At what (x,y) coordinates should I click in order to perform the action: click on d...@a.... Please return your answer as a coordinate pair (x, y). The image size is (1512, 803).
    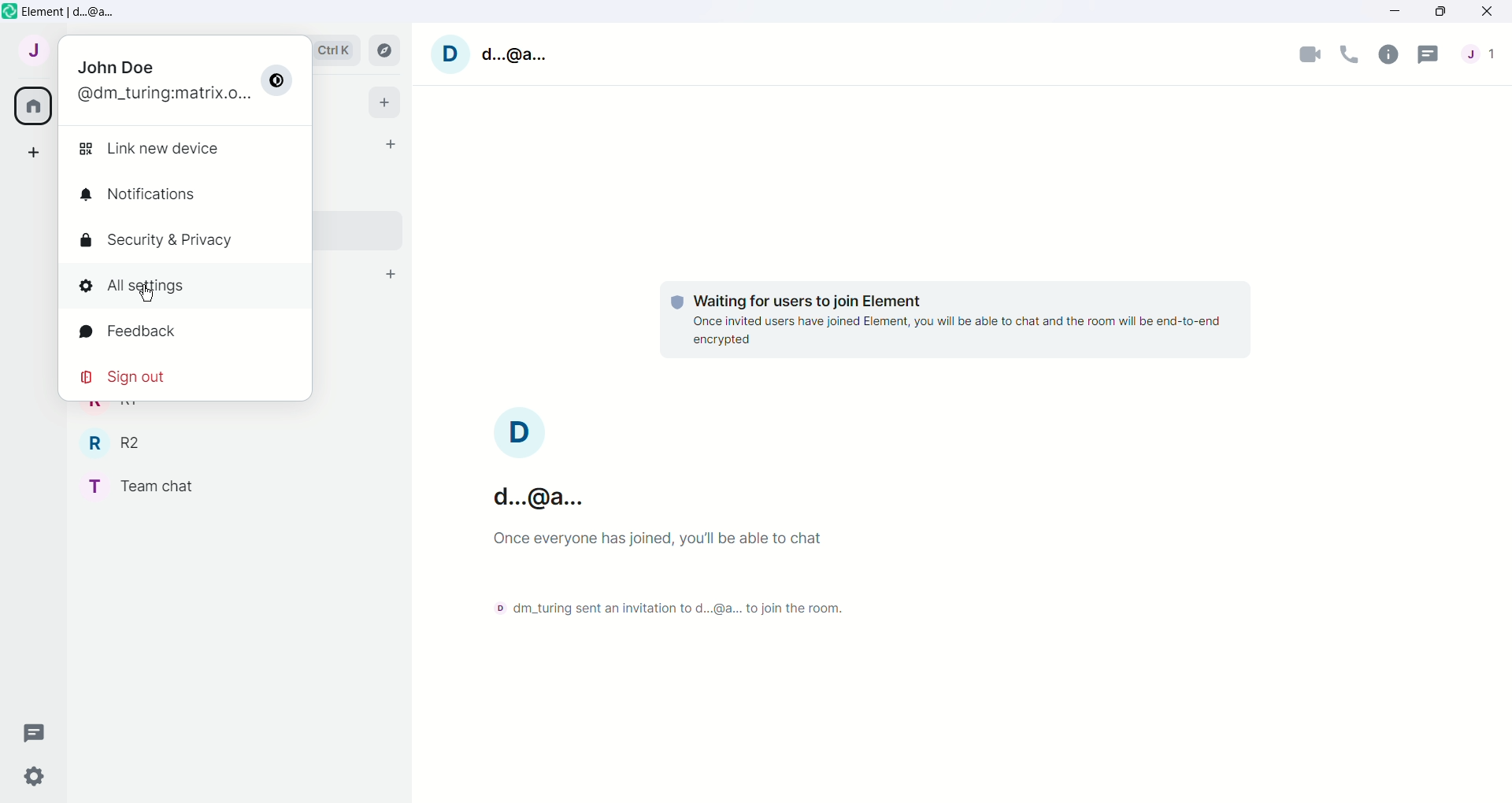
    Looking at the image, I should click on (513, 55).